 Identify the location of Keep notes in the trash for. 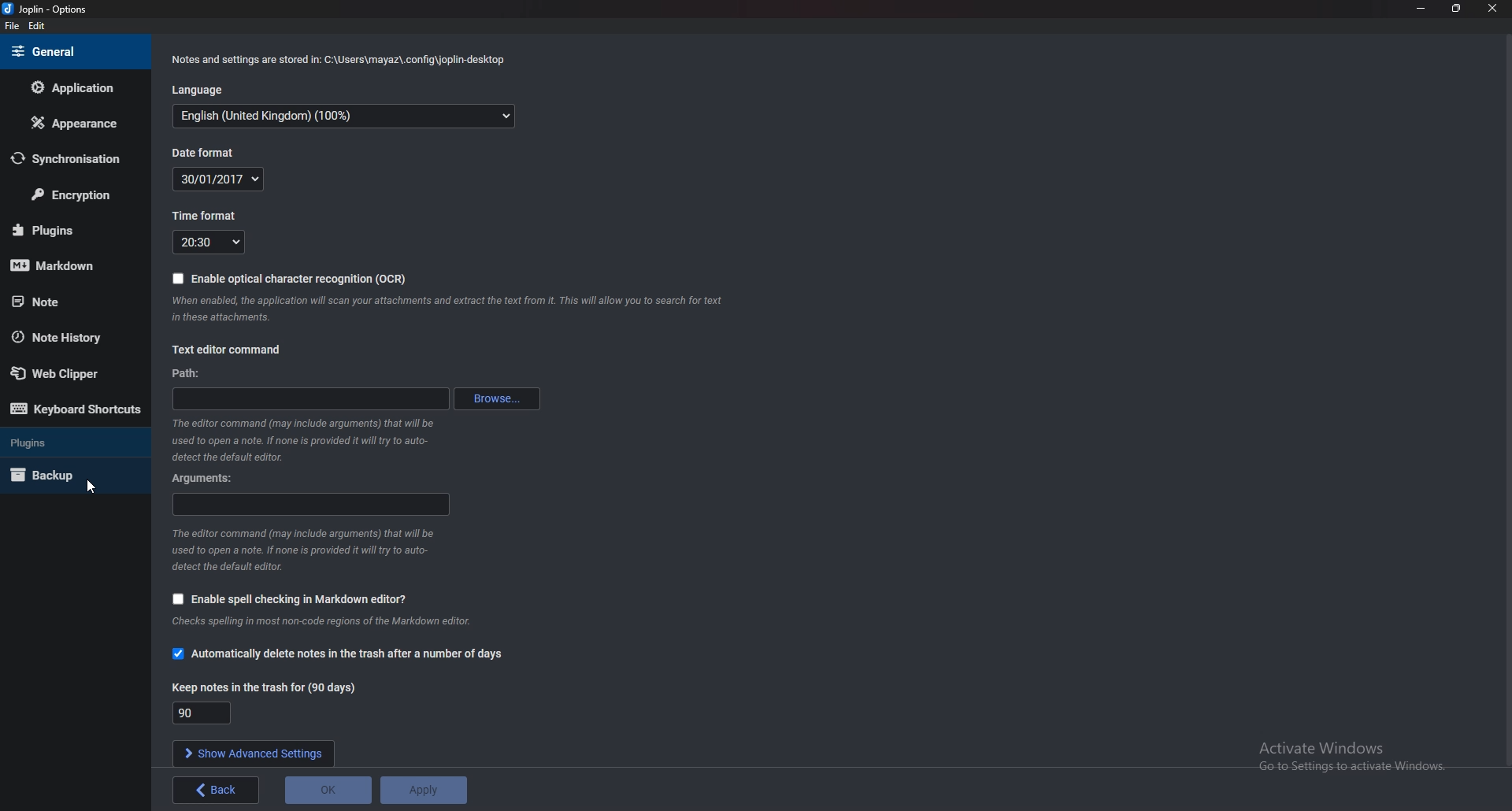
(202, 712).